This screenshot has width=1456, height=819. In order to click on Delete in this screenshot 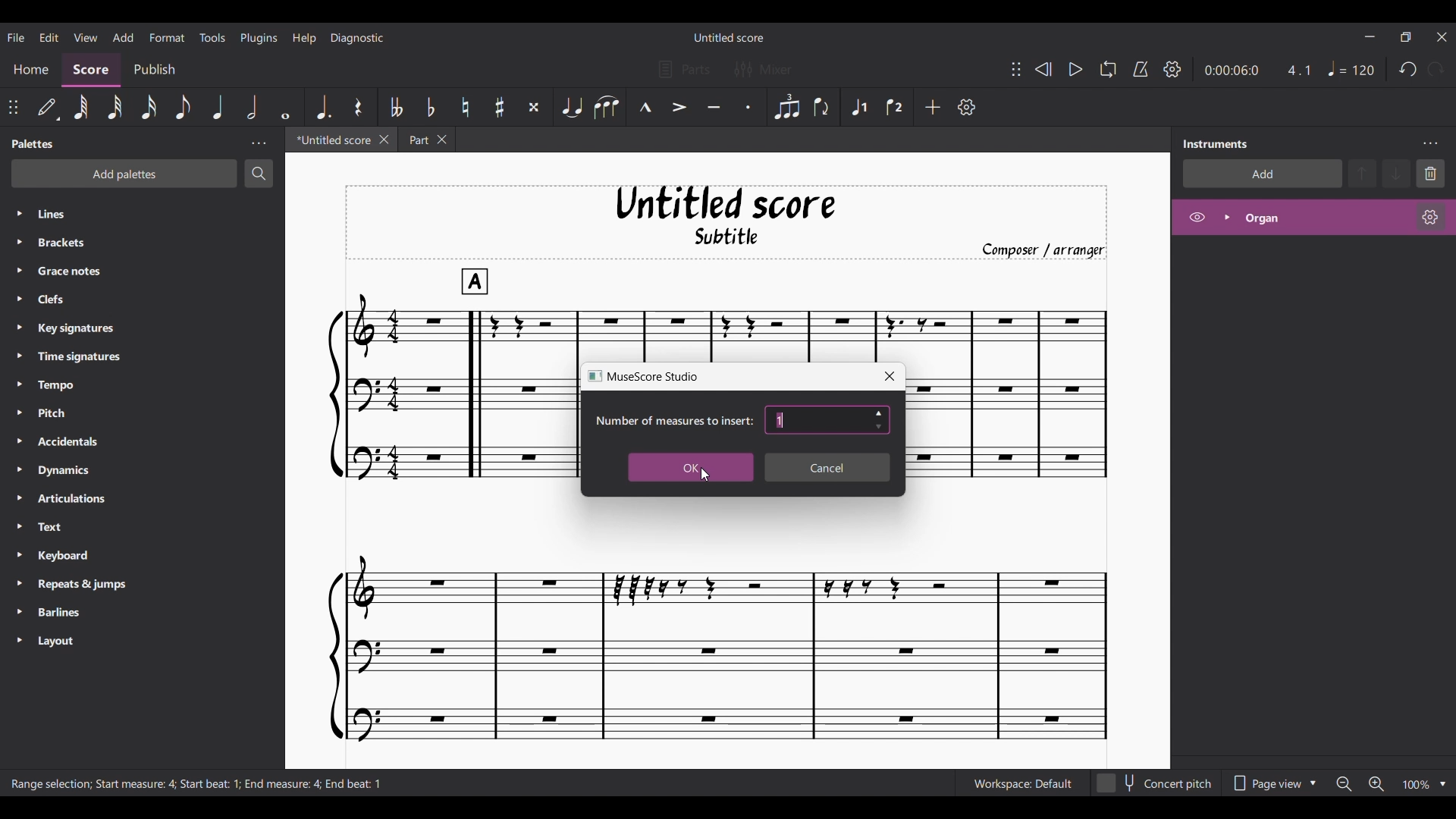, I will do `click(1431, 173)`.